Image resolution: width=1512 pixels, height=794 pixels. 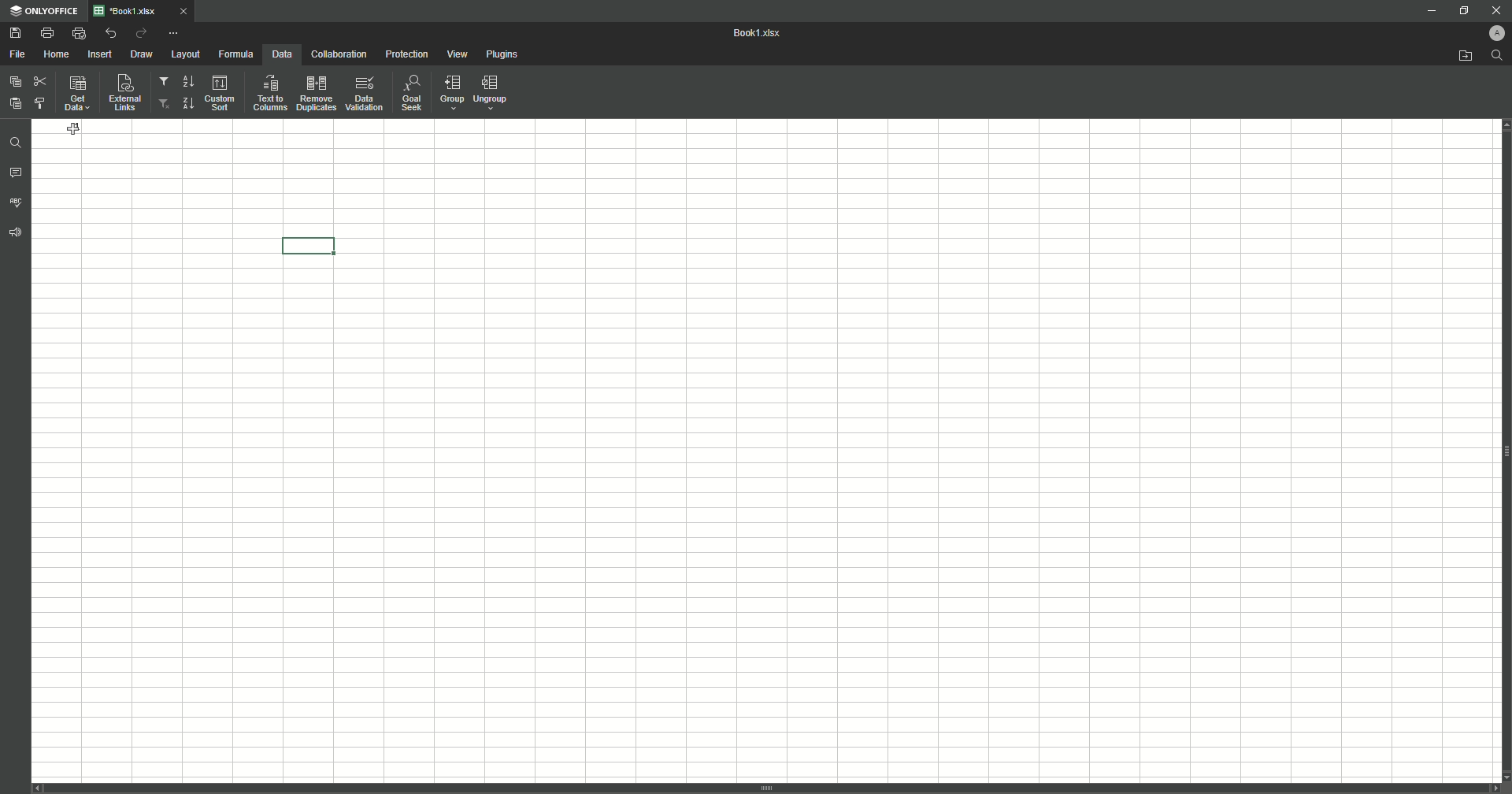 What do you see at coordinates (40, 102) in the screenshot?
I see `Choose Styling` at bounding box center [40, 102].